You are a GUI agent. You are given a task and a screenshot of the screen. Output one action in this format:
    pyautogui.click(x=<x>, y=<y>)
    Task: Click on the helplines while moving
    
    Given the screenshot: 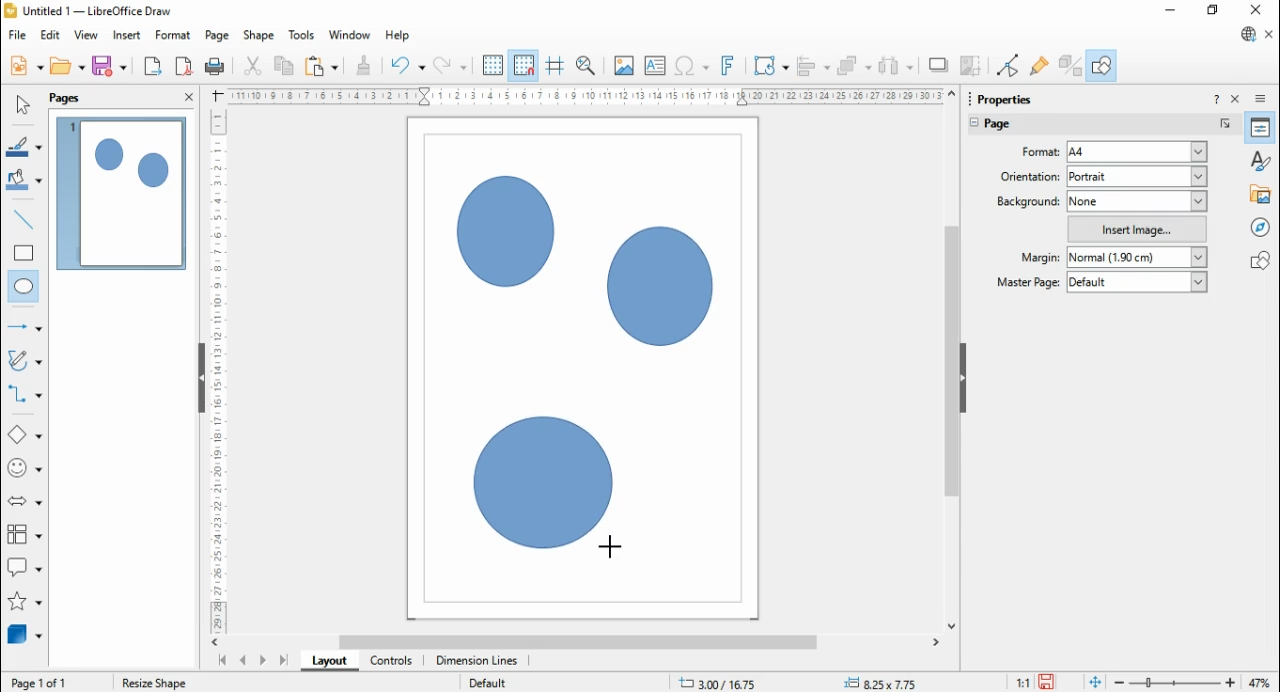 What is the action you would take?
    pyautogui.click(x=555, y=66)
    